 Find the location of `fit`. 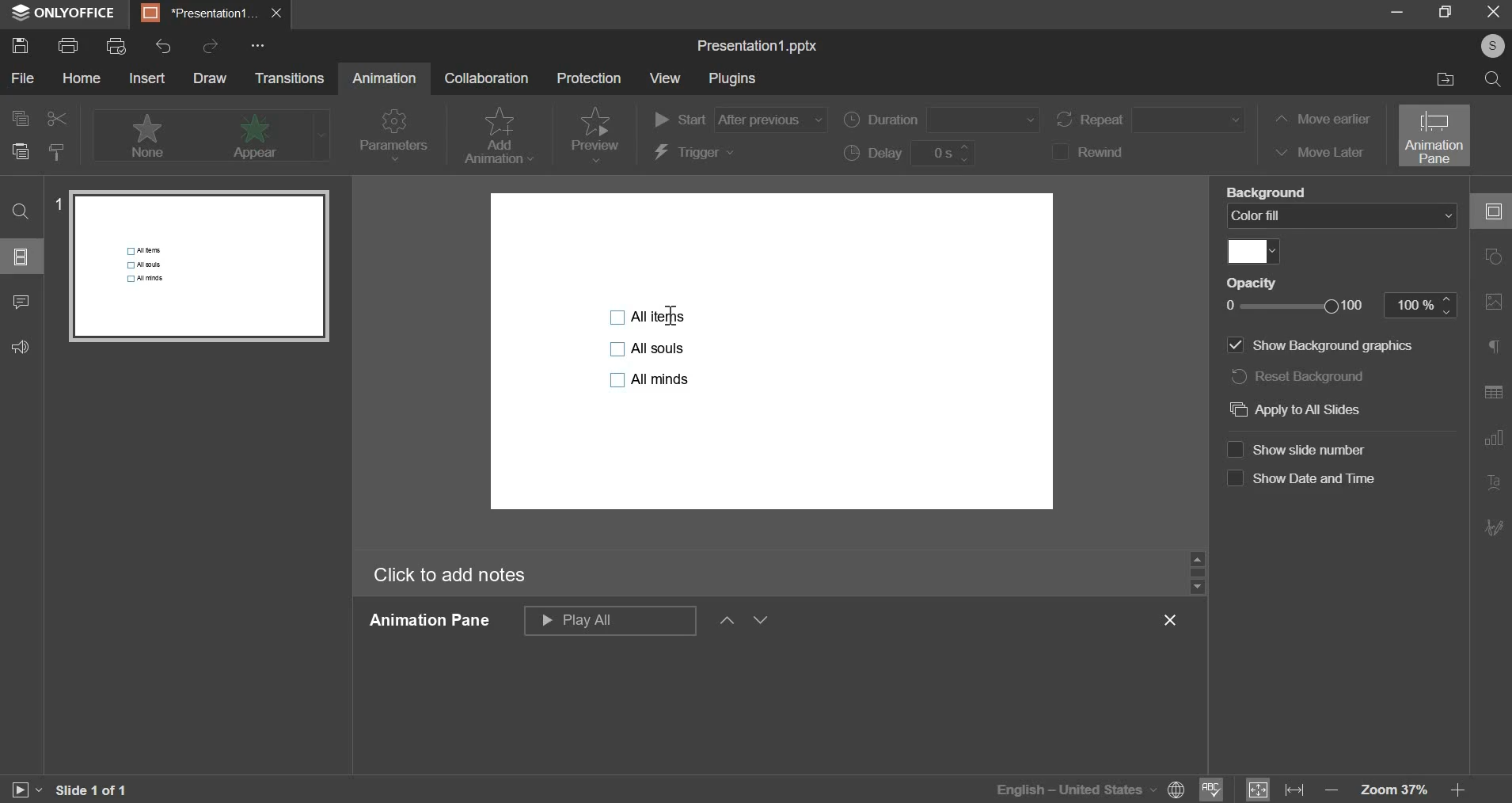

fit is located at coordinates (1275, 788).